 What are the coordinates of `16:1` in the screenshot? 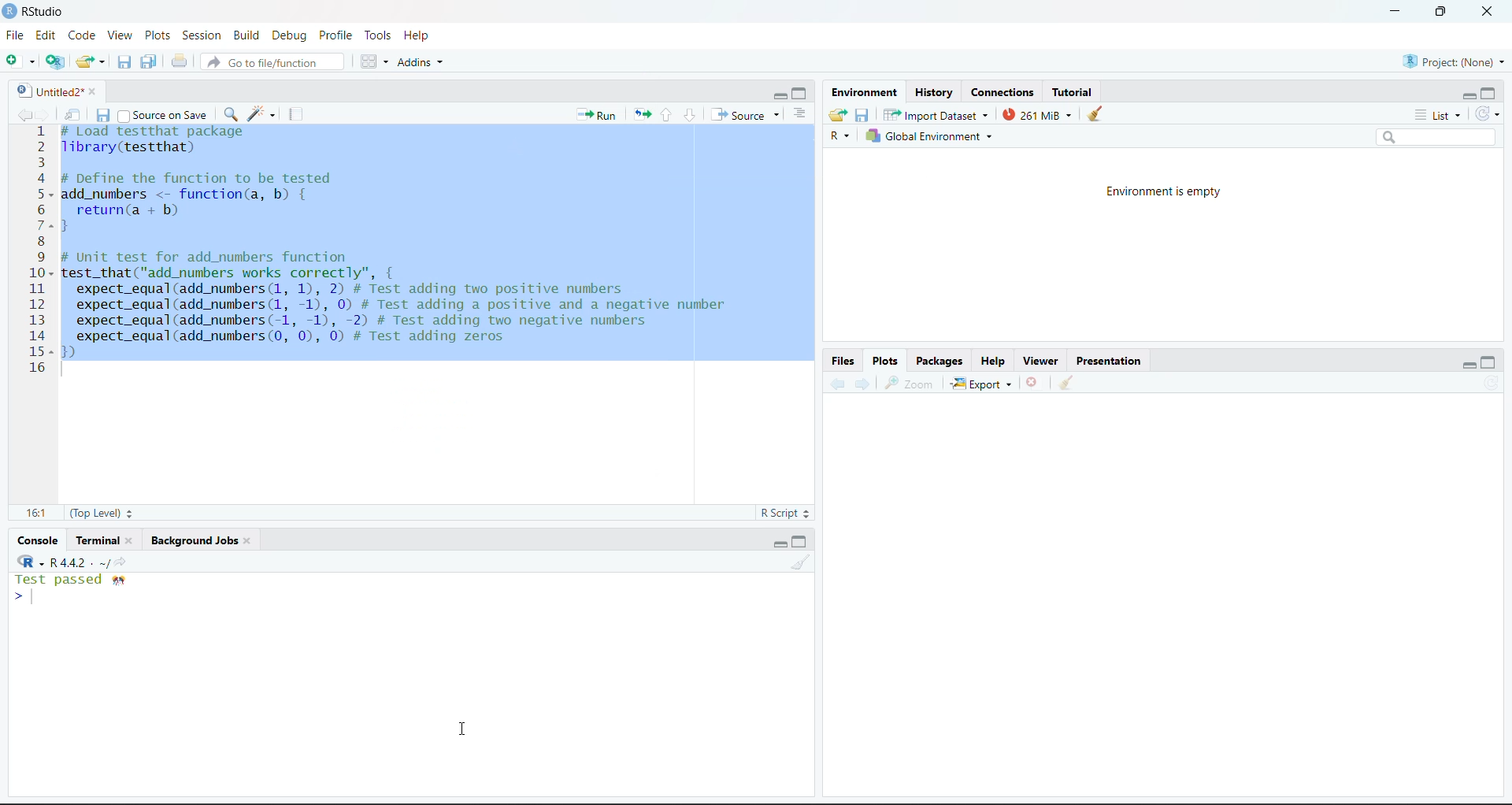 It's located at (35, 512).